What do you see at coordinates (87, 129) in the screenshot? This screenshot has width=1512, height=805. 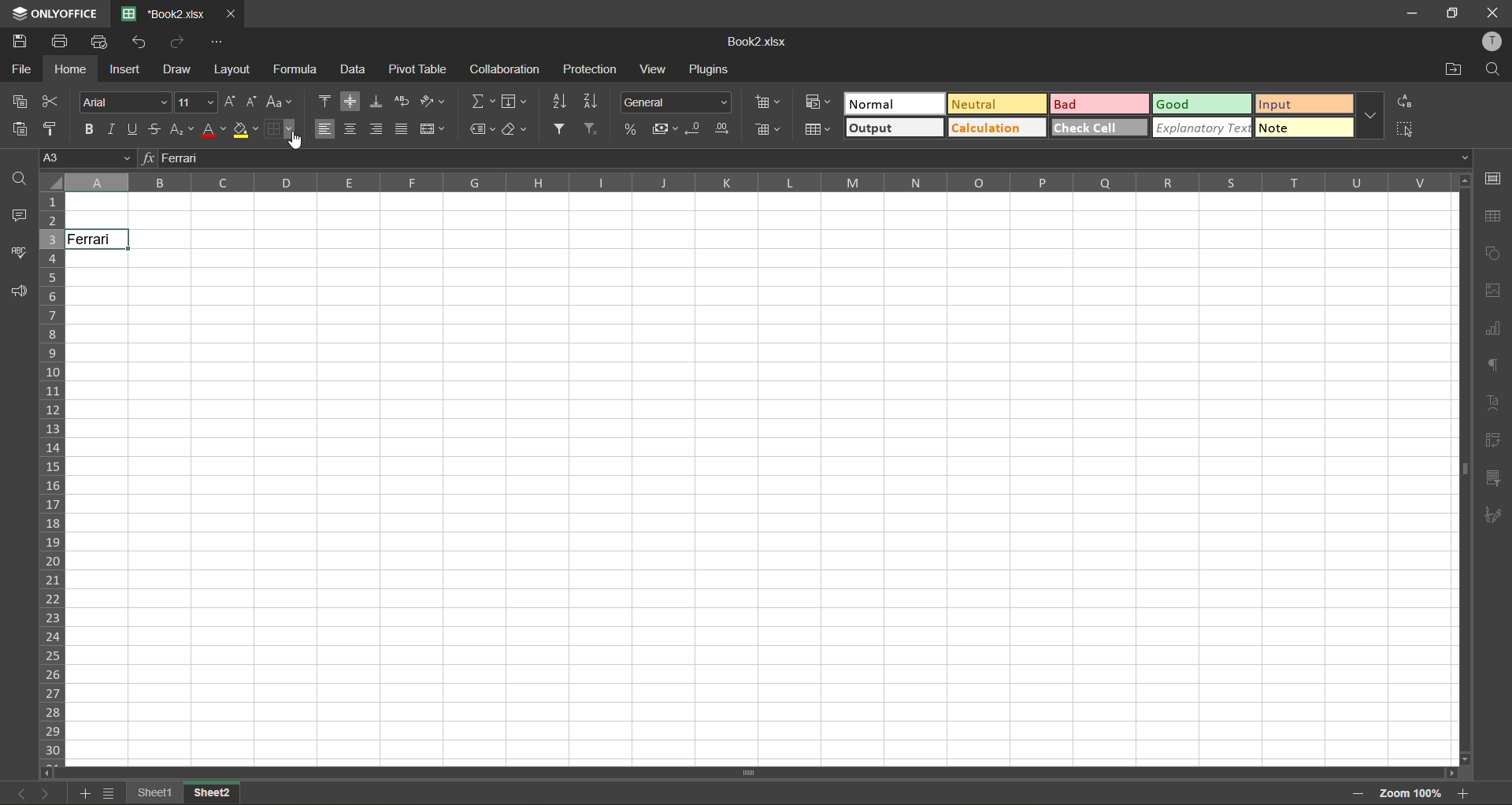 I see `bold` at bounding box center [87, 129].